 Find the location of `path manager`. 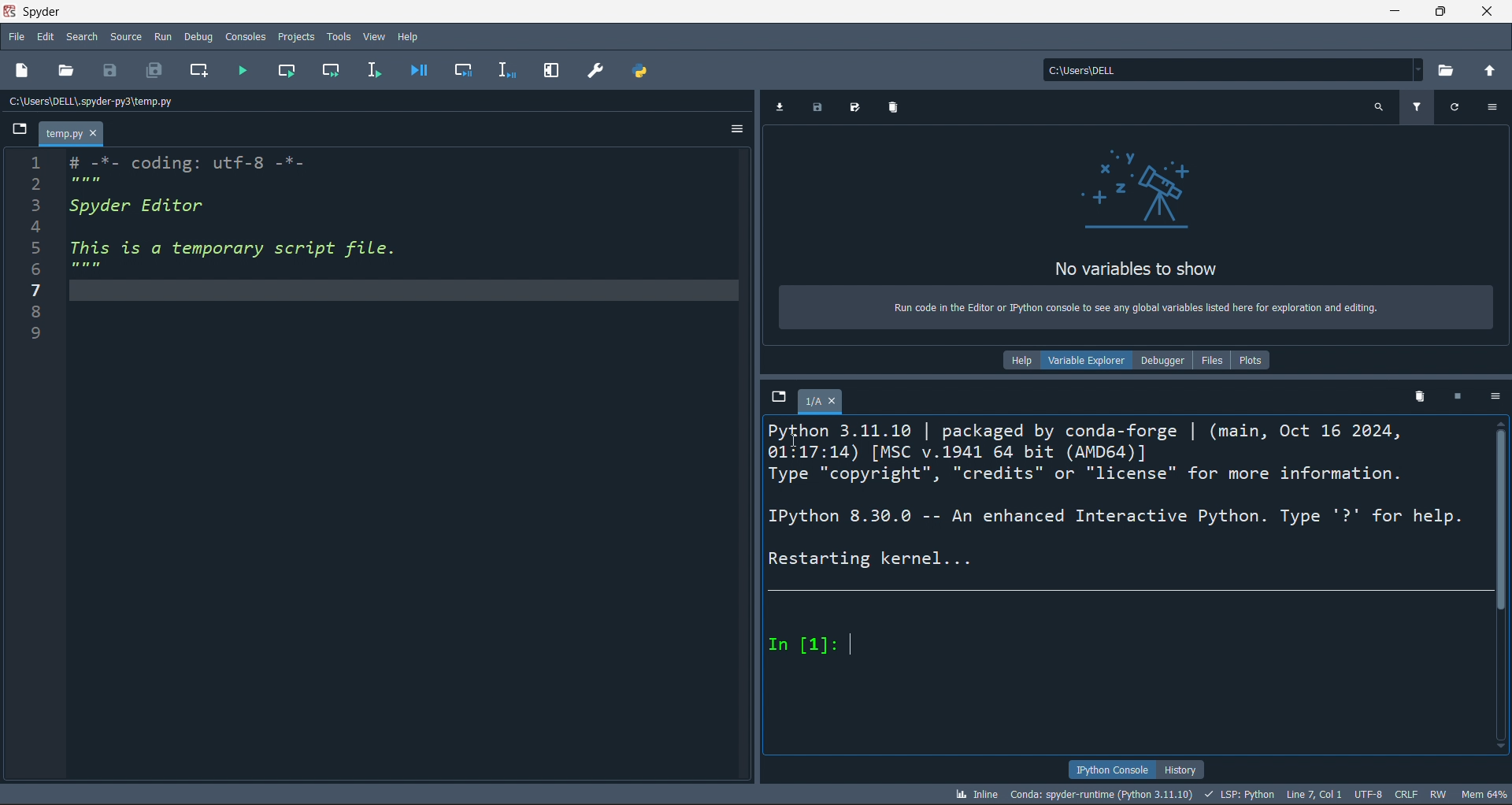

path manager is located at coordinates (643, 72).